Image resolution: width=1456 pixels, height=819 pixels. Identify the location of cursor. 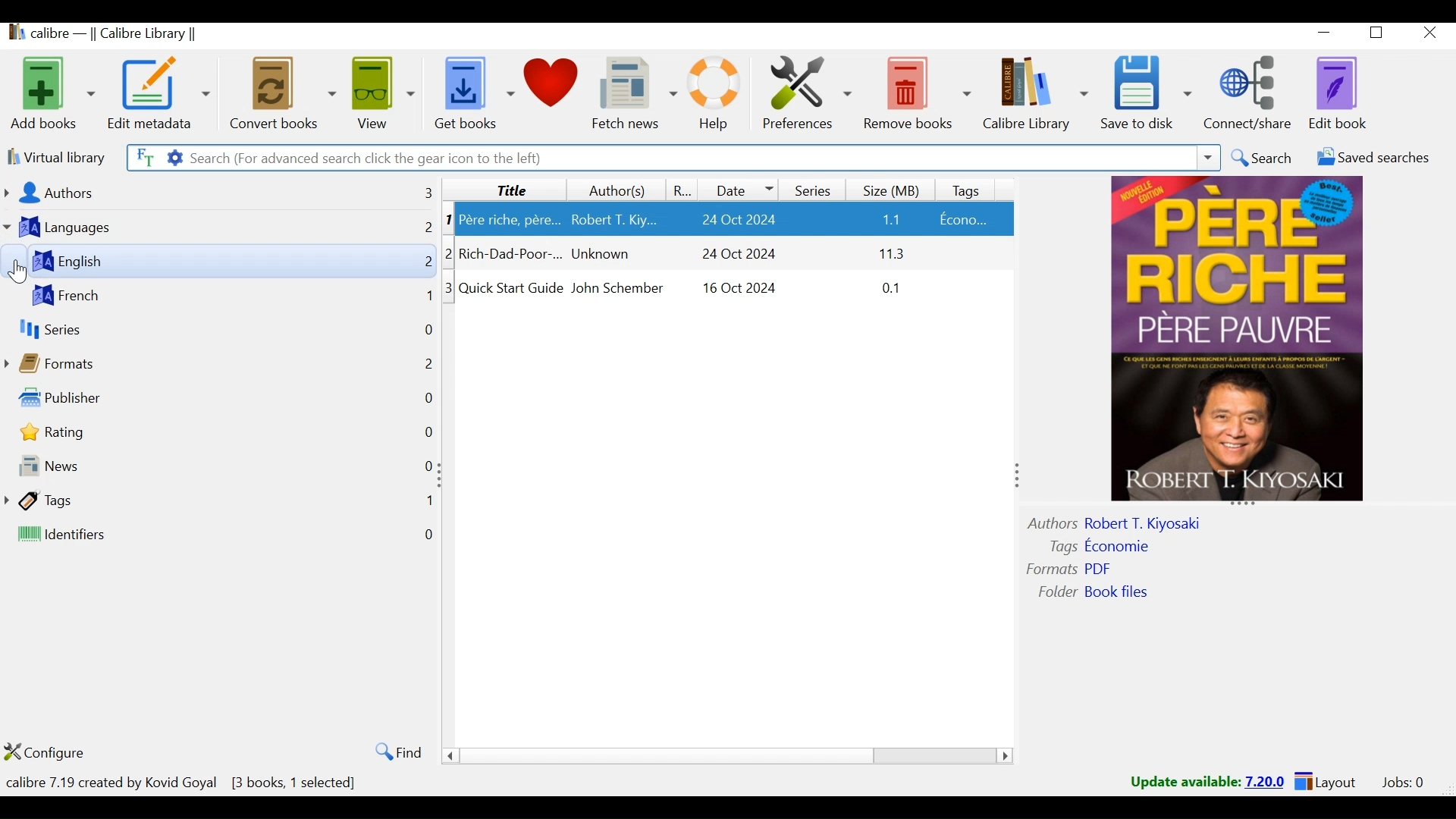
(17, 271).